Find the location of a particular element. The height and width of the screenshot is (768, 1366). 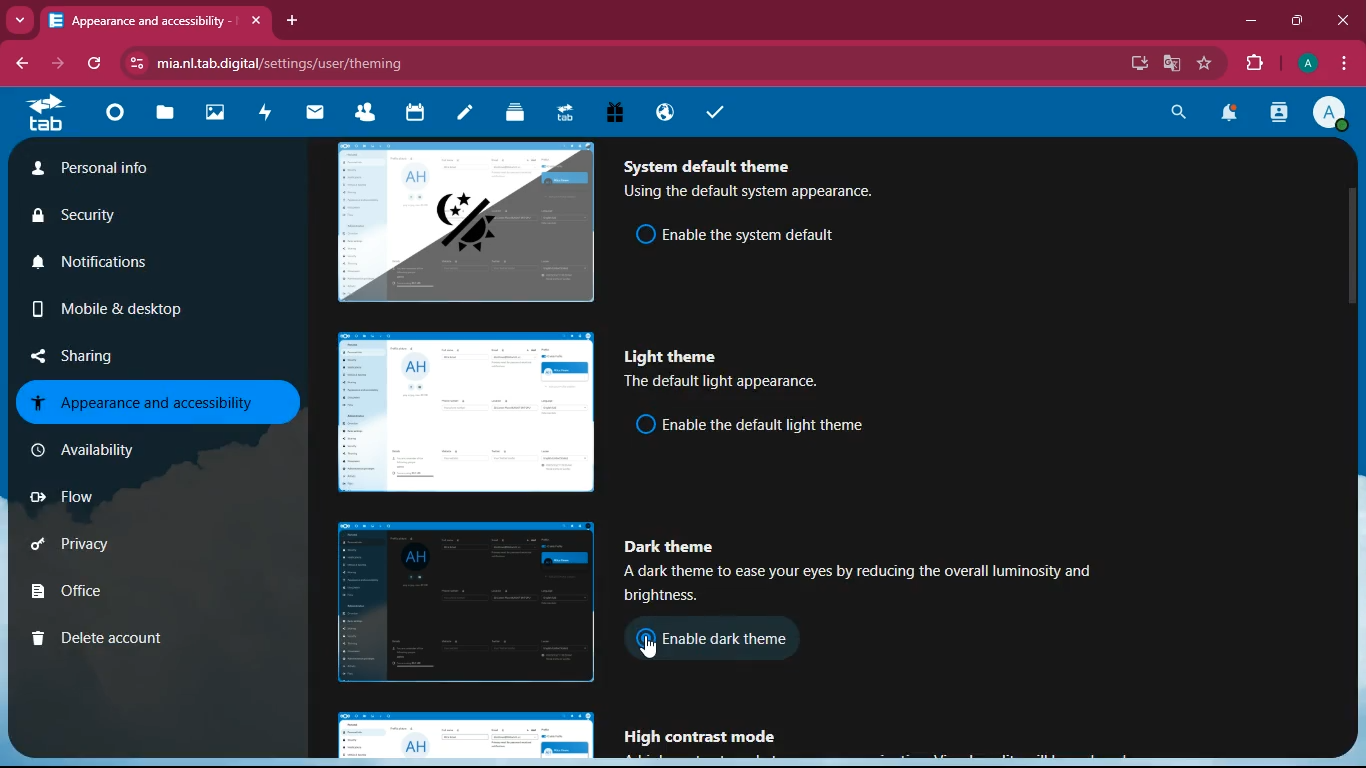

calendar is located at coordinates (415, 114).